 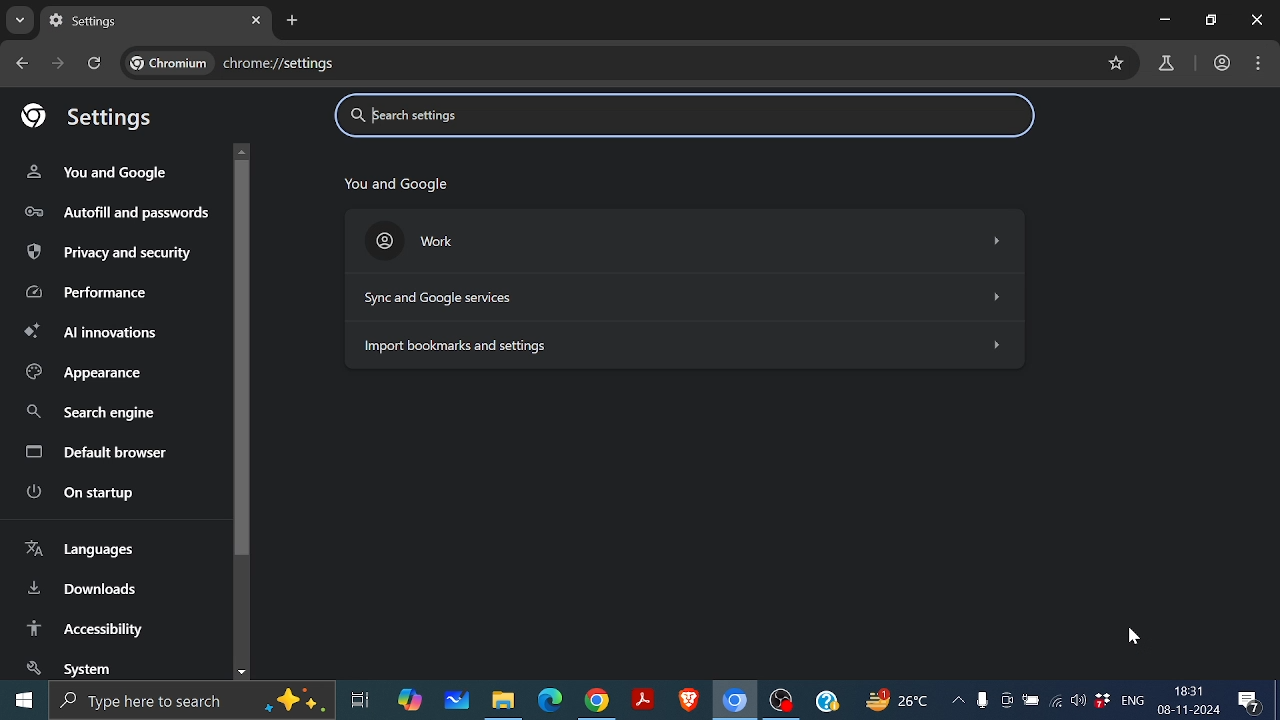 I want to click on Minimize, so click(x=1164, y=21).